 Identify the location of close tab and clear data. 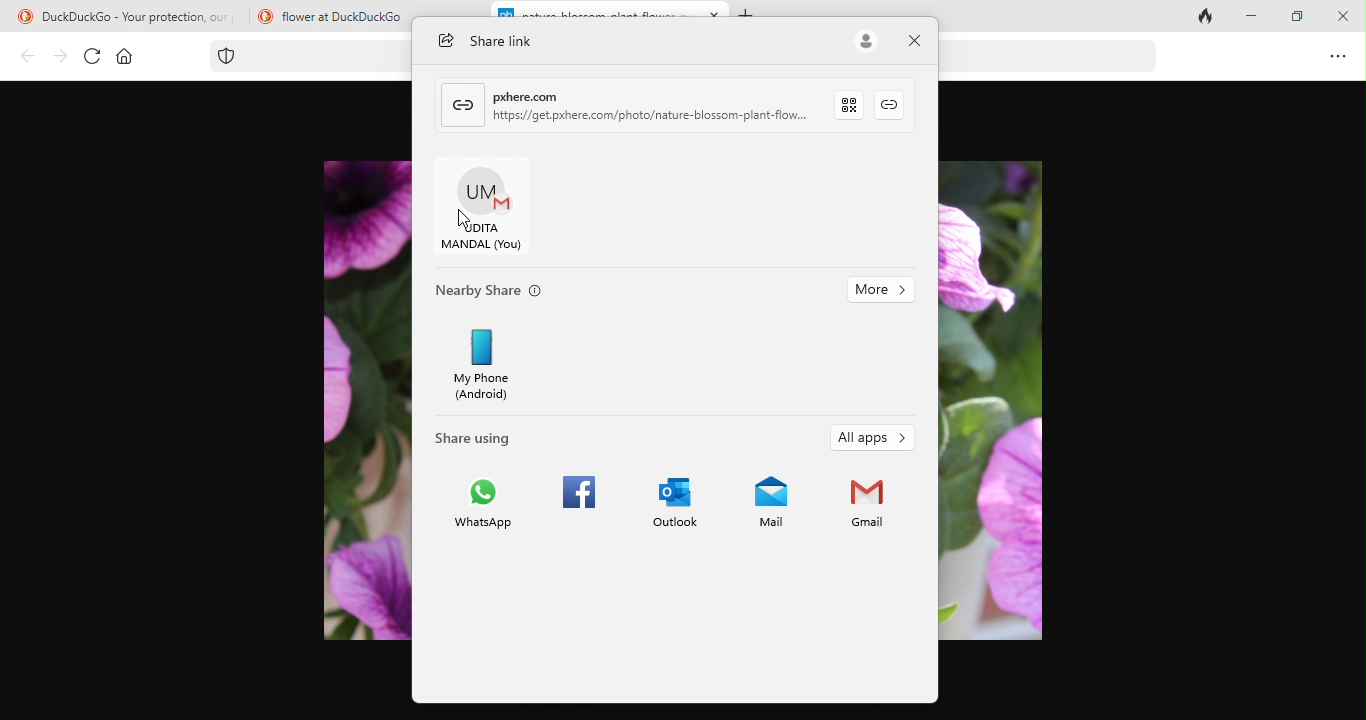
(1196, 19).